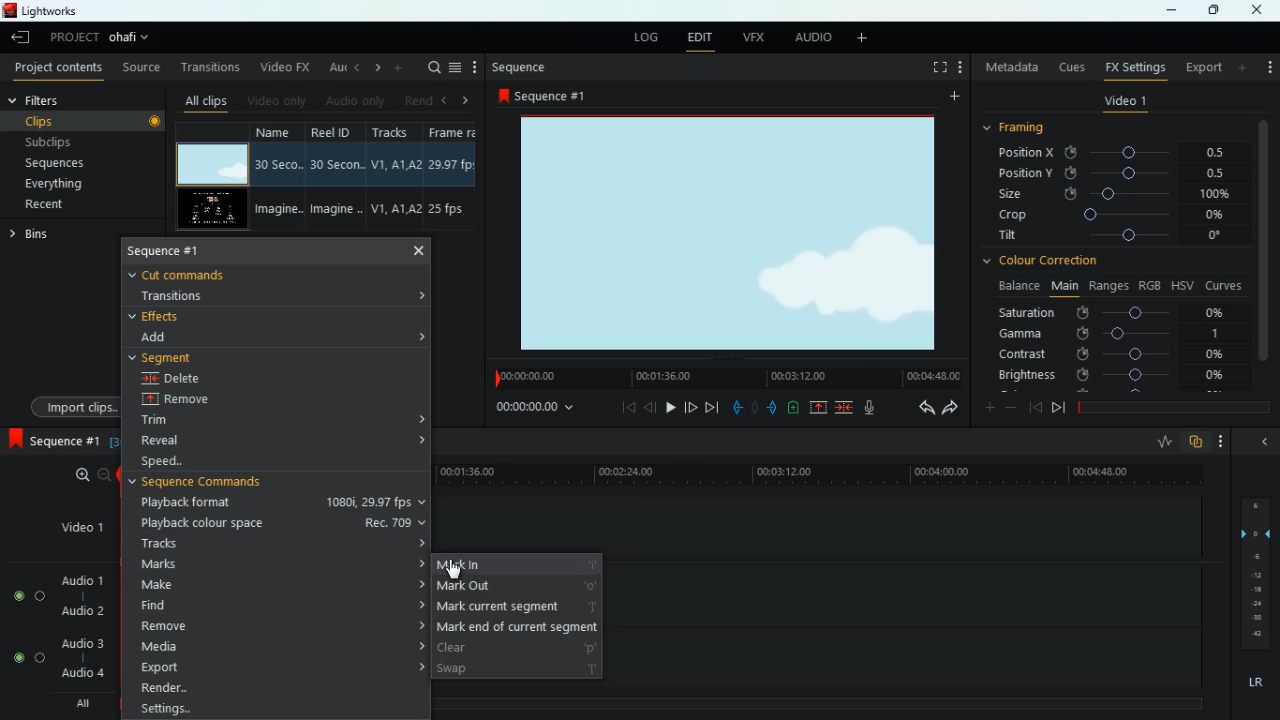 This screenshot has width=1280, height=720. I want to click on up, so click(818, 408).